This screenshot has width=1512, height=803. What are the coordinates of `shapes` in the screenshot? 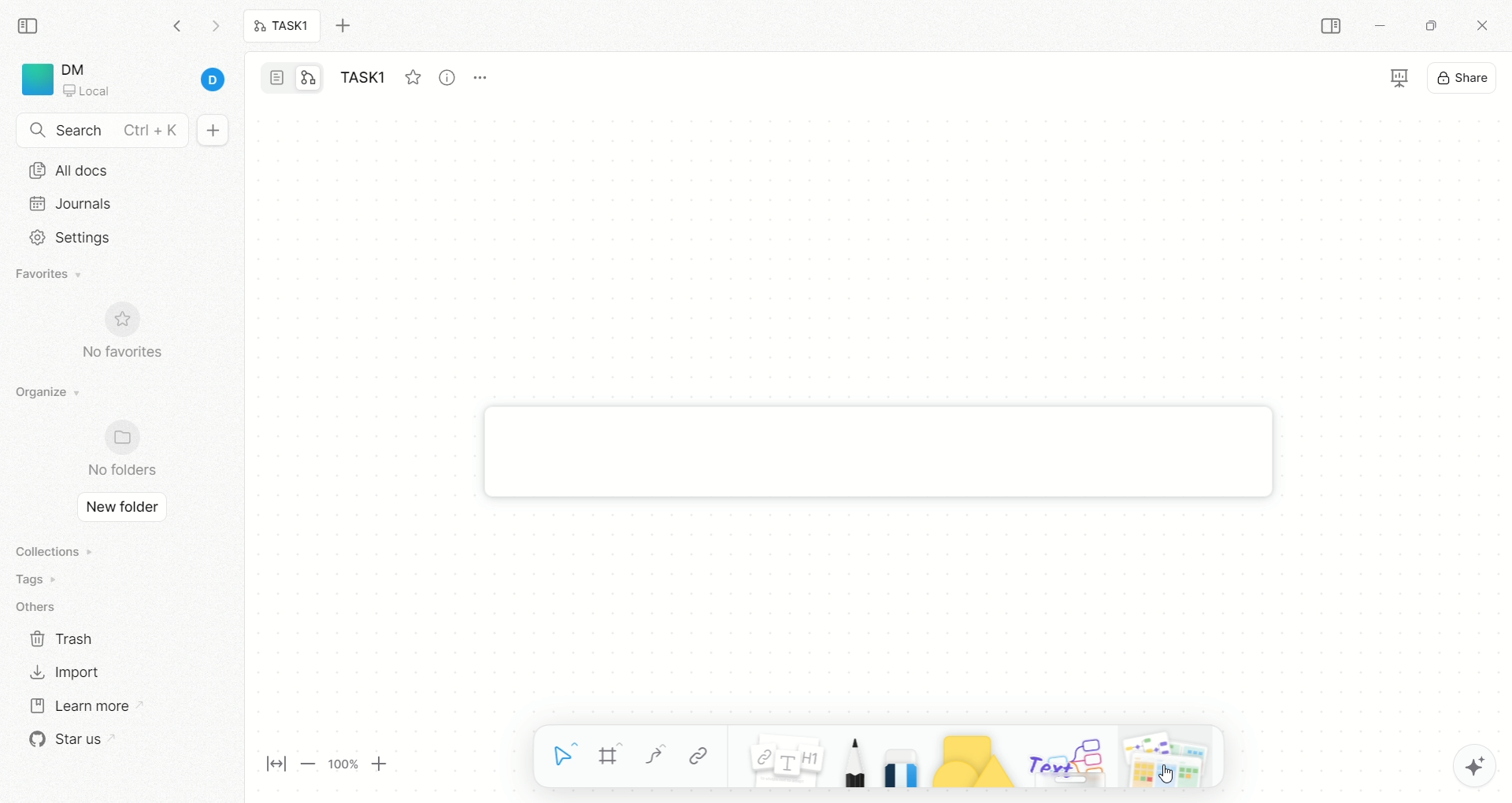 It's located at (965, 757).